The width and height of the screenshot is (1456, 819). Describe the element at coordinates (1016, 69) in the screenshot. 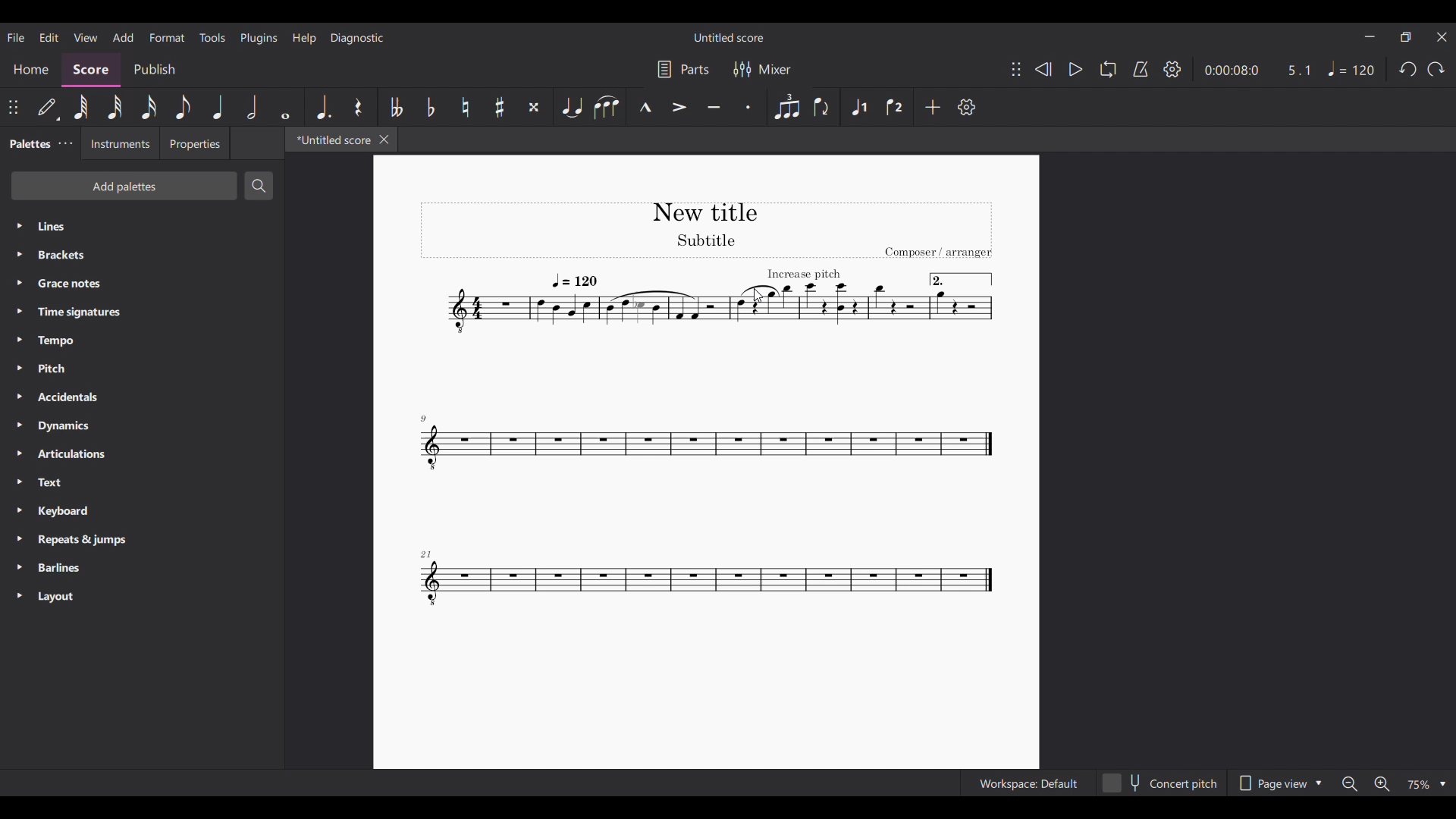

I see `Change position` at that location.